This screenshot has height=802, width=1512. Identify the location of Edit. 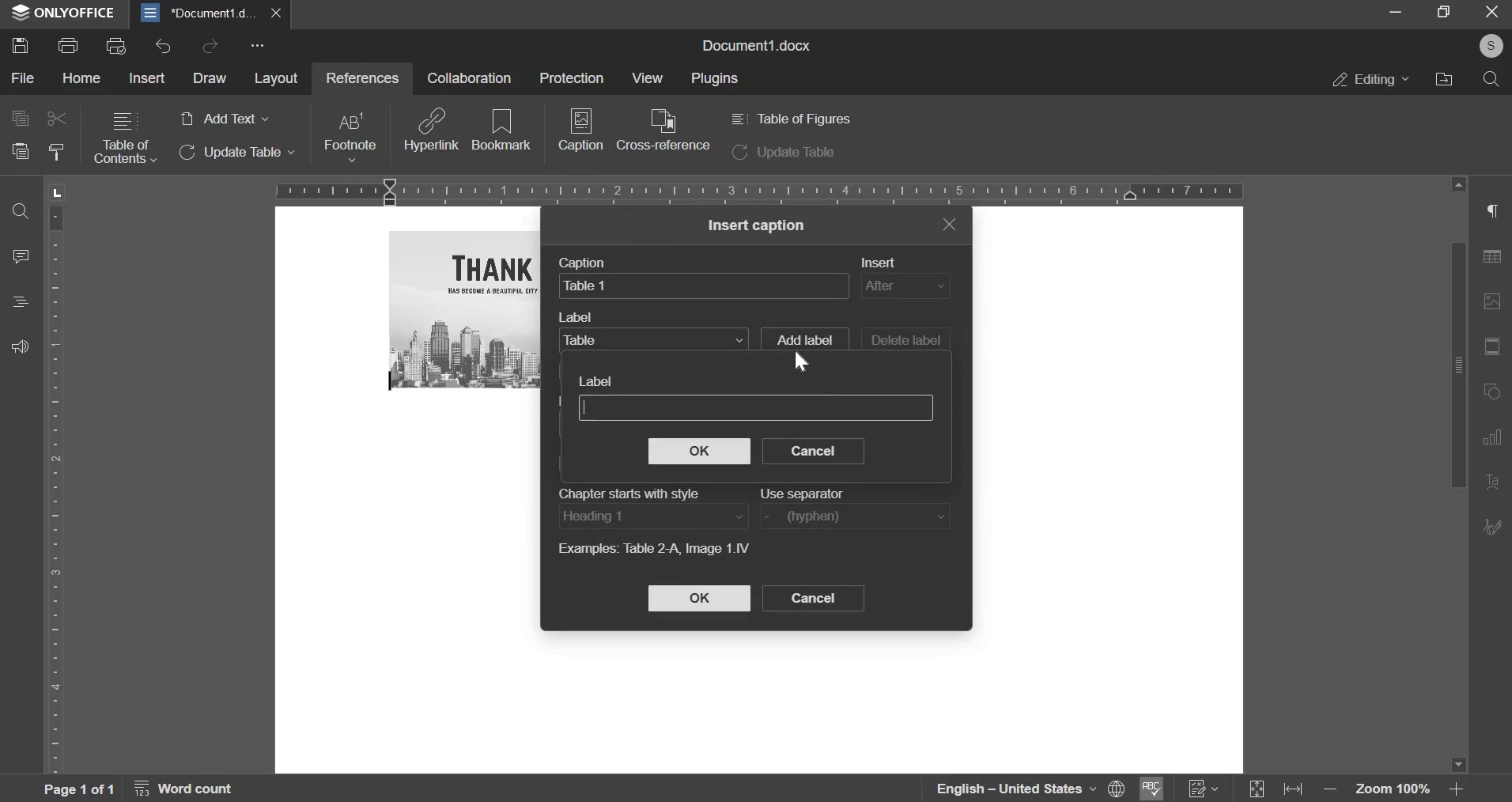
(1494, 525).